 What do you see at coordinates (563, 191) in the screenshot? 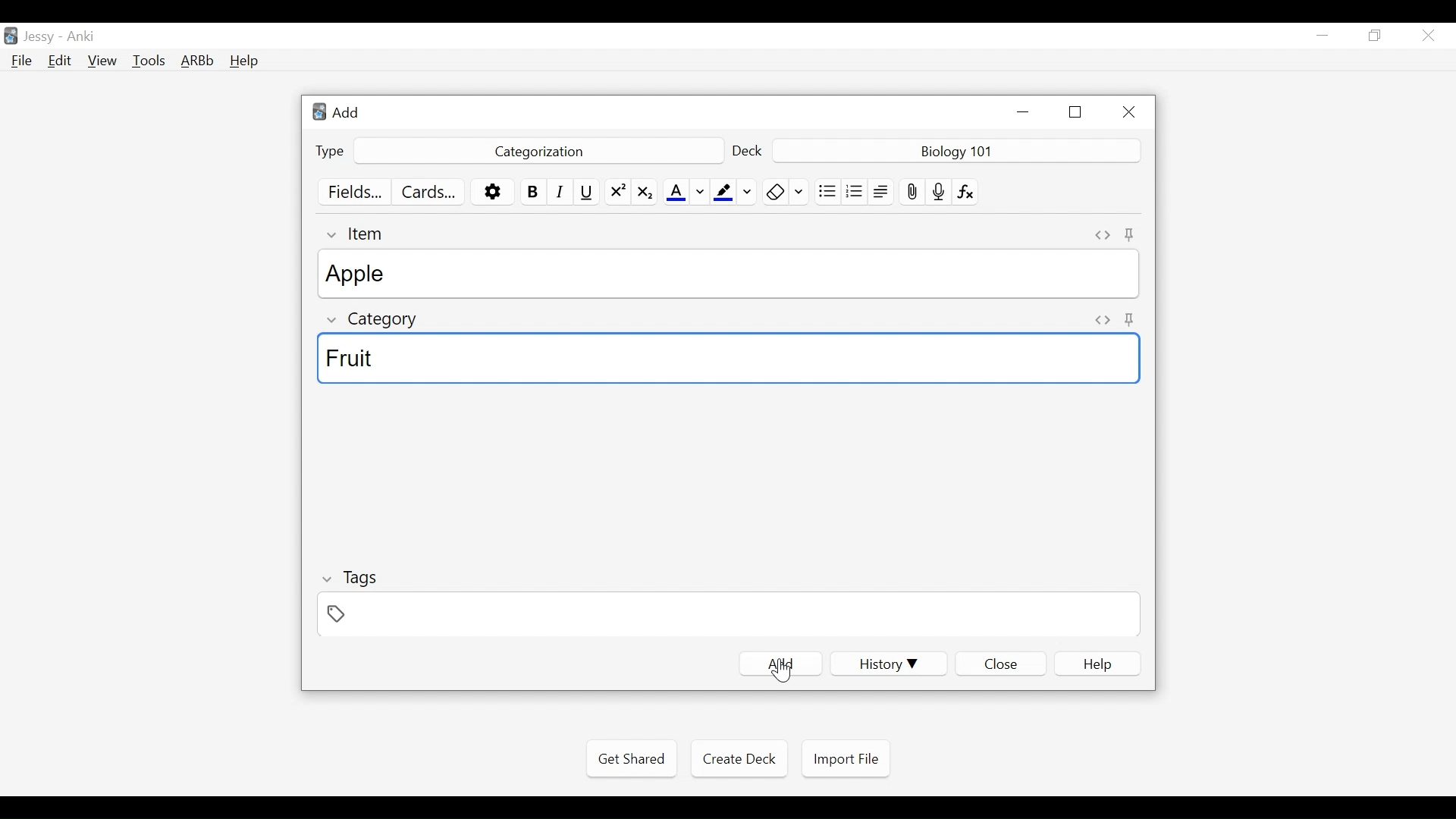
I see `Italics` at bounding box center [563, 191].